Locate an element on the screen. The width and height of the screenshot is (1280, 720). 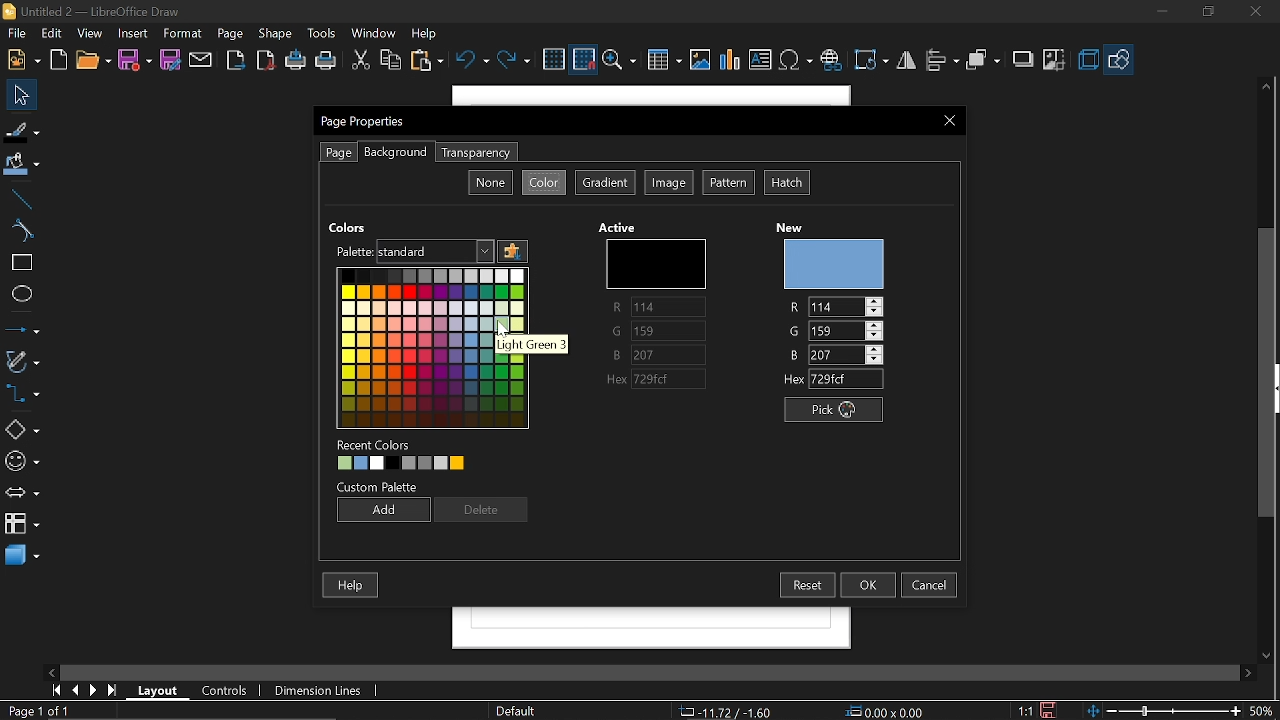
R is located at coordinates (654, 307).